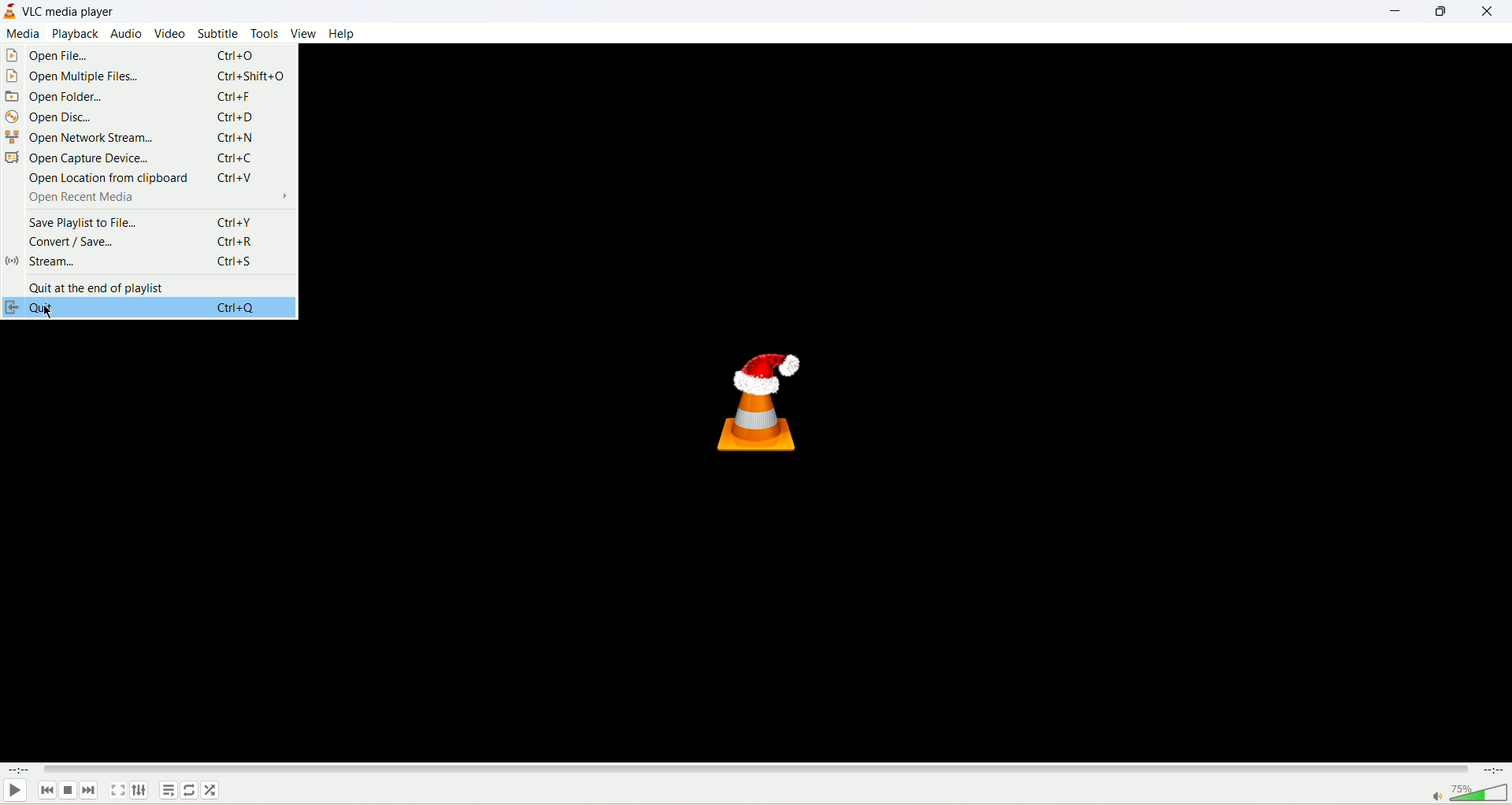 This screenshot has width=1512, height=805. What do you see at coordinates (1479, 794) in the screenshot?
I see `volume bar` at bounding box center [1479, 794].